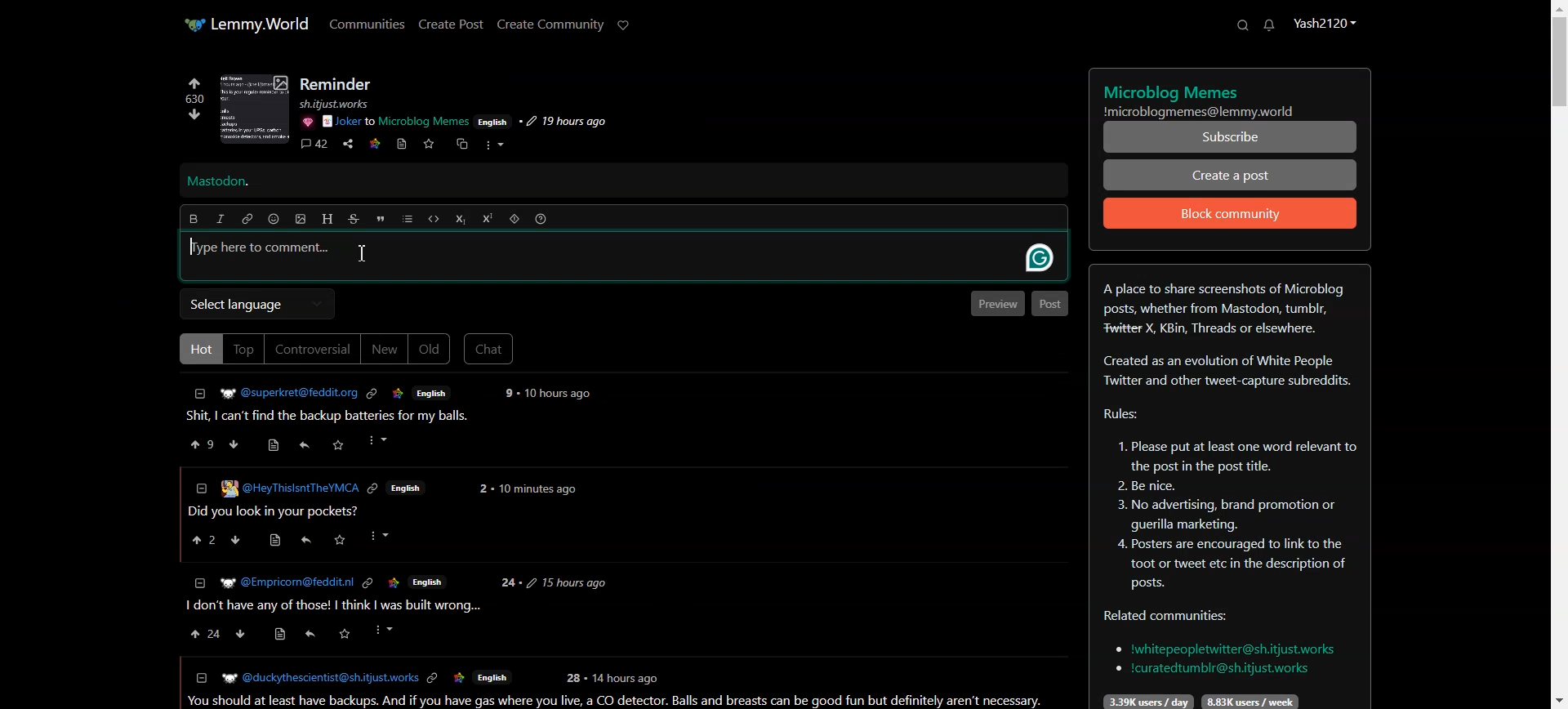 This screenshot has height=709, width=1568. Describe the element at coordinates (1034, 259) in the screenshot. I see `` at that location.